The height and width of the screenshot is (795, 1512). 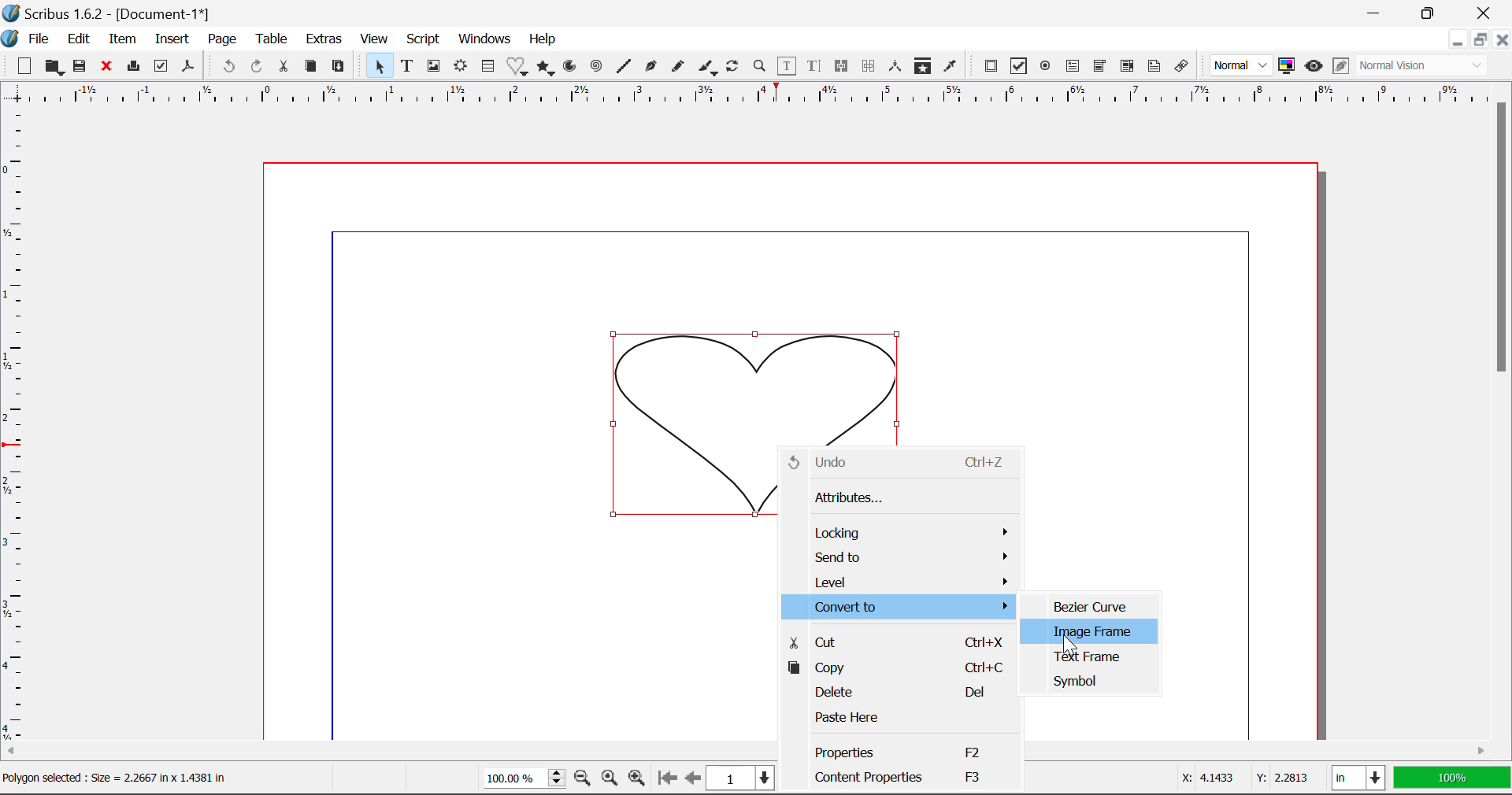 What do you see at coordinates (637, 779) in the screenshot?
I see `Zoom In` at bounding box center [637, 779].